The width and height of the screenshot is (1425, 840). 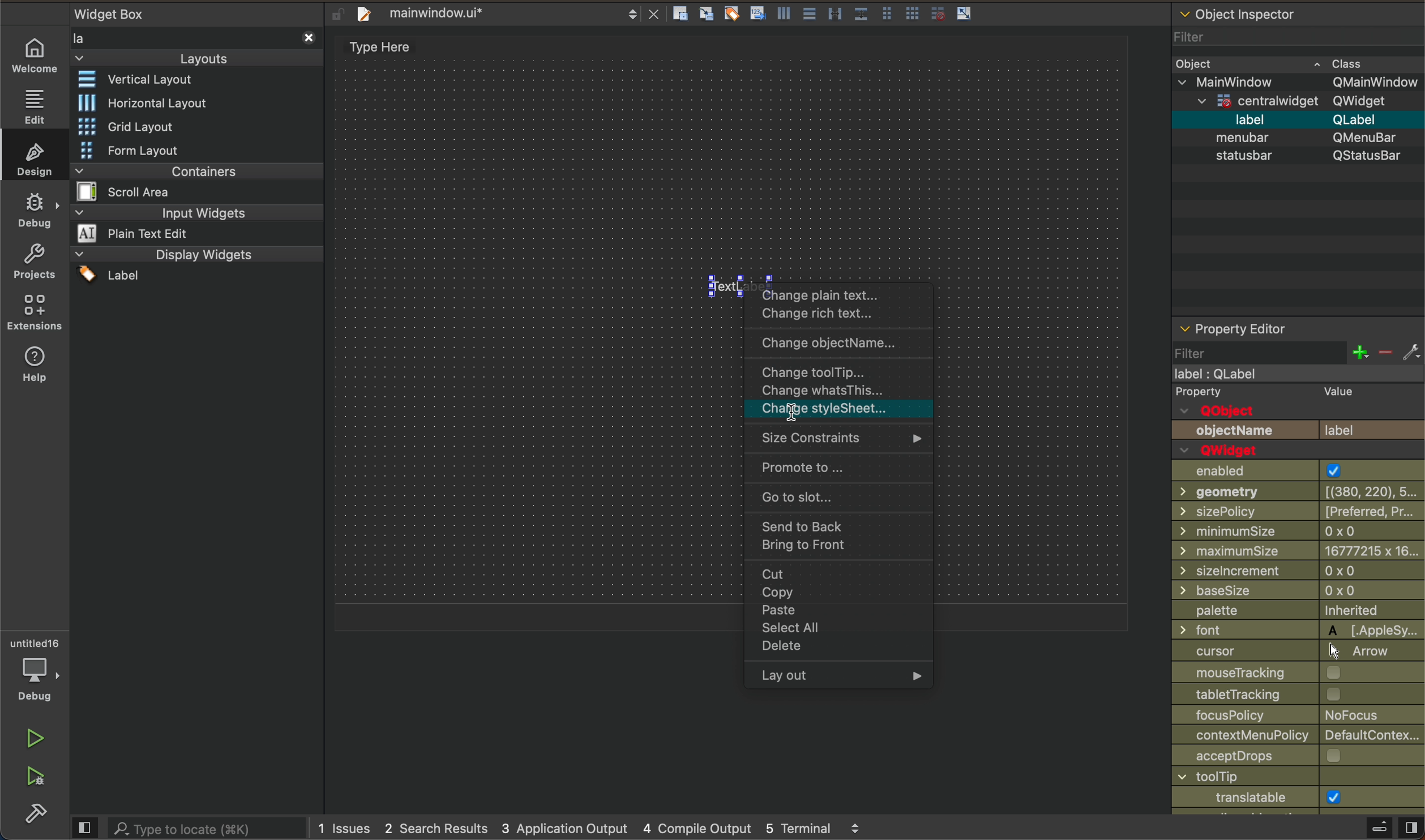 I want to click on change object name, so click(x=836, y=344).